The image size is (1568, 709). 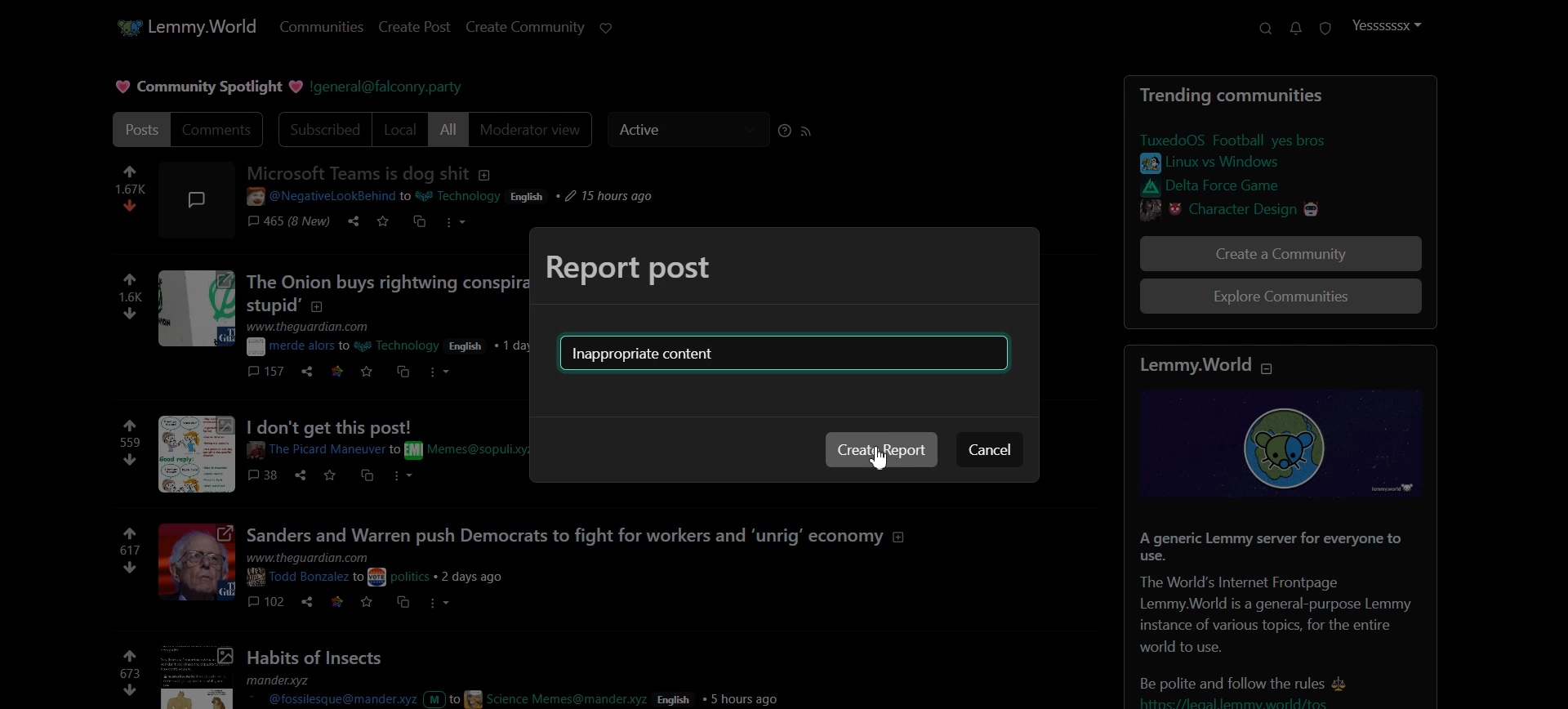 What do you see at coordinates (443, 372) in the screenshot?
I see `more` at bounding box center [443, 372].